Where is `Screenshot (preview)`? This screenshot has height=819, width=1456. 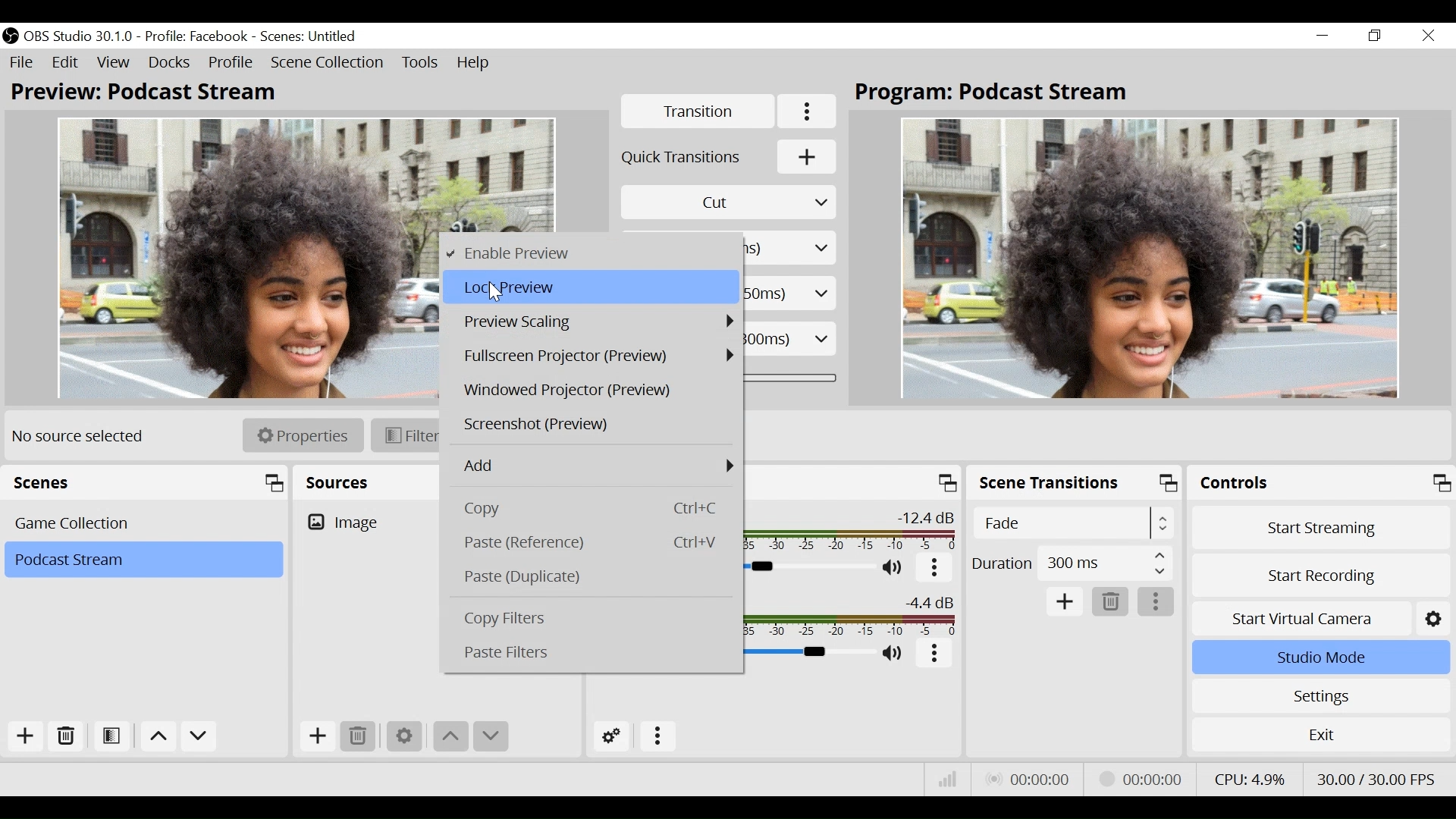 Screenshot (preview) is located at coordinates (593, 426).